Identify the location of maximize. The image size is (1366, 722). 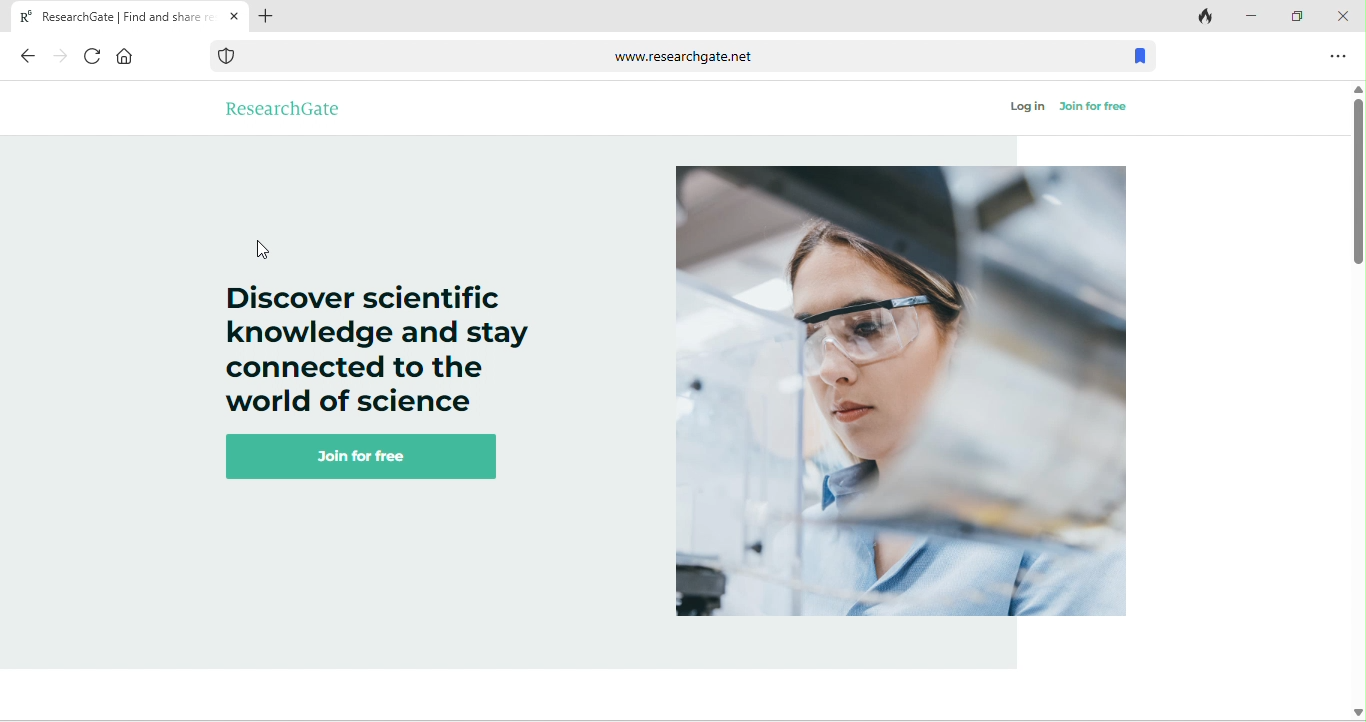
(1291, 13).